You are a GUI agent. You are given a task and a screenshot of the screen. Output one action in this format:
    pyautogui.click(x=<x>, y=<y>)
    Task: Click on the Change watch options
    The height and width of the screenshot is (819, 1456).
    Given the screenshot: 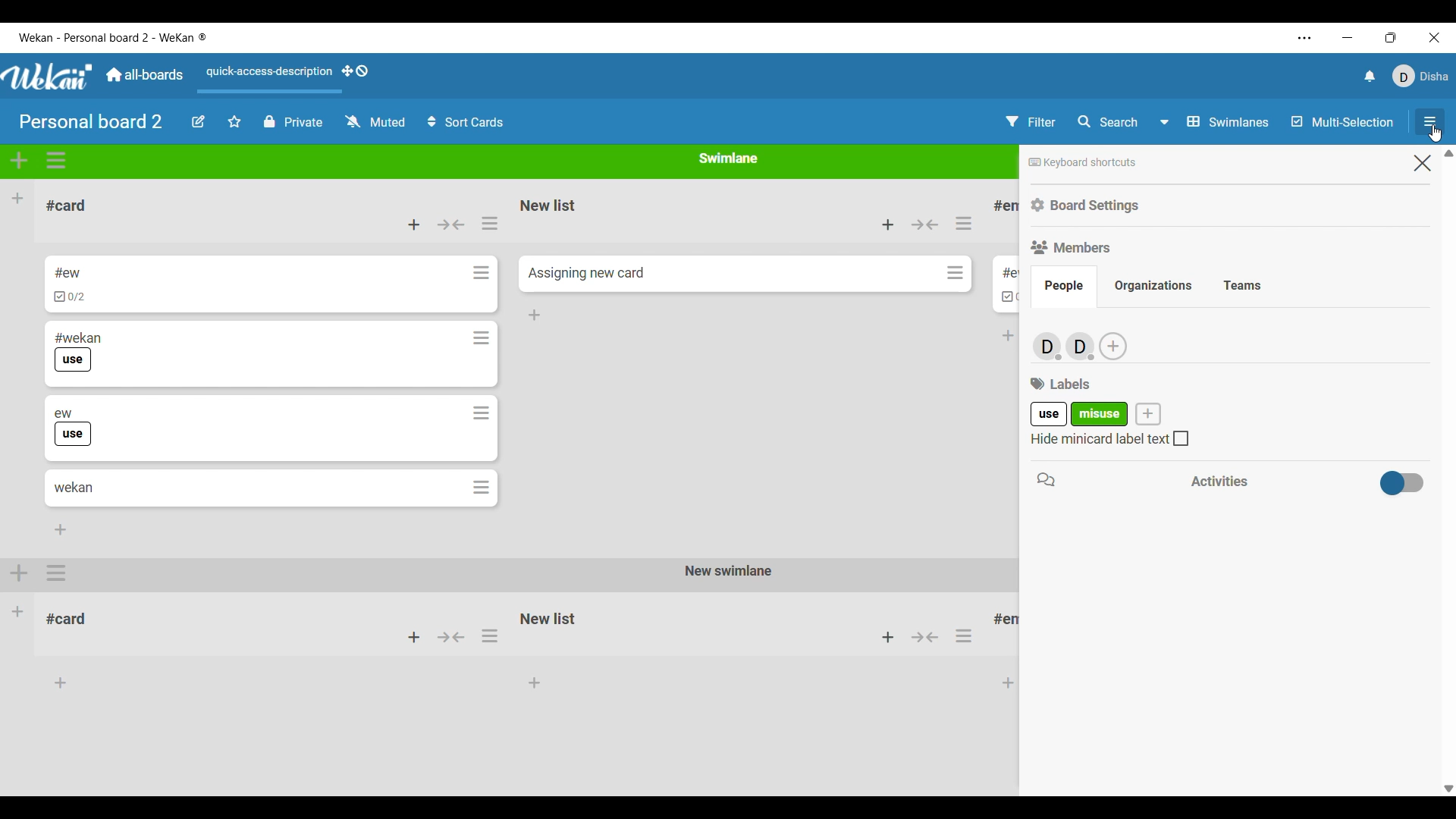 What is the action you would take?
    pyautogui.click(x=376, y=122)
    